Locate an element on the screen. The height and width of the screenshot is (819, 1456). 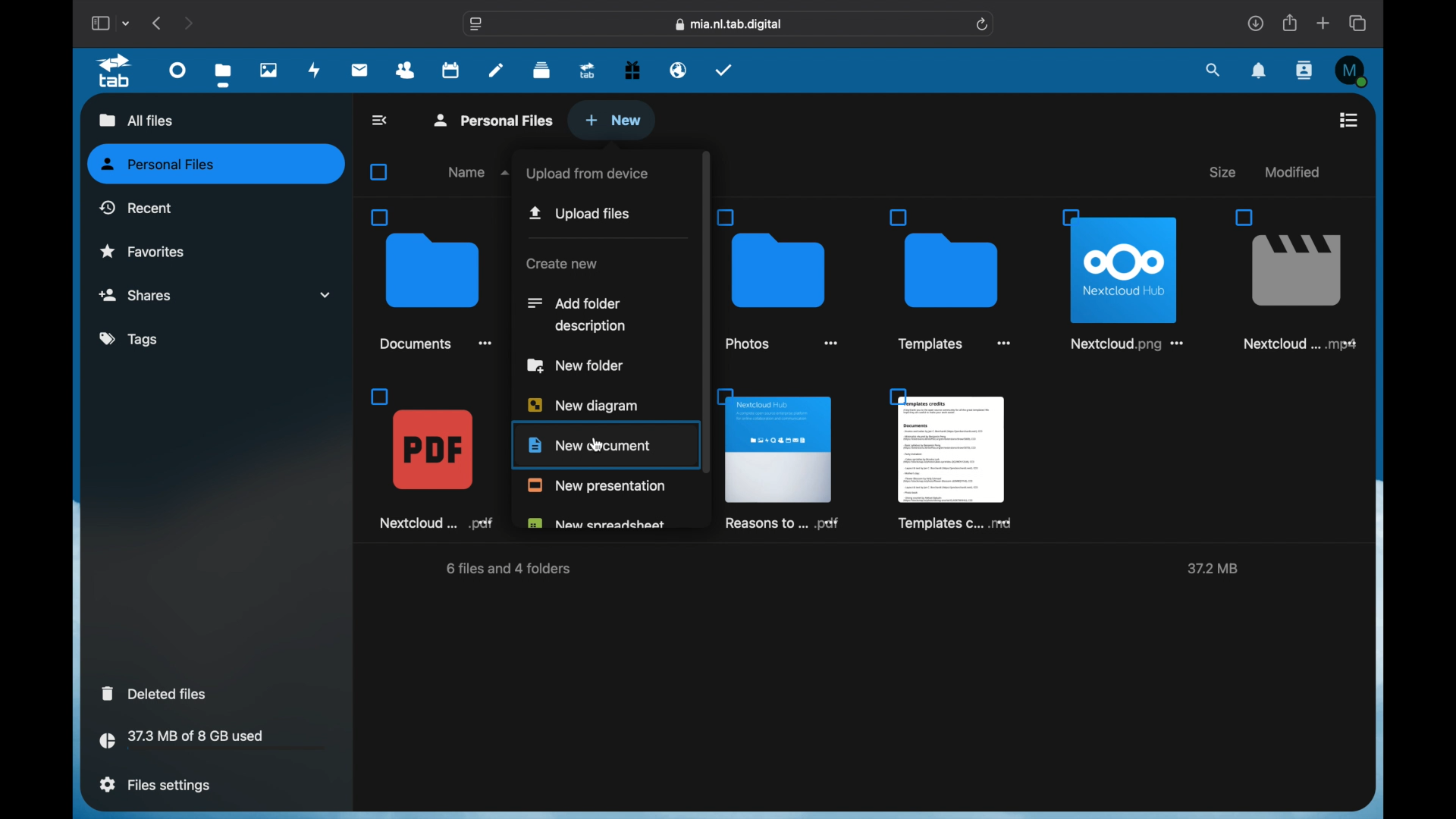
folder is located at coordinates (781, 278).